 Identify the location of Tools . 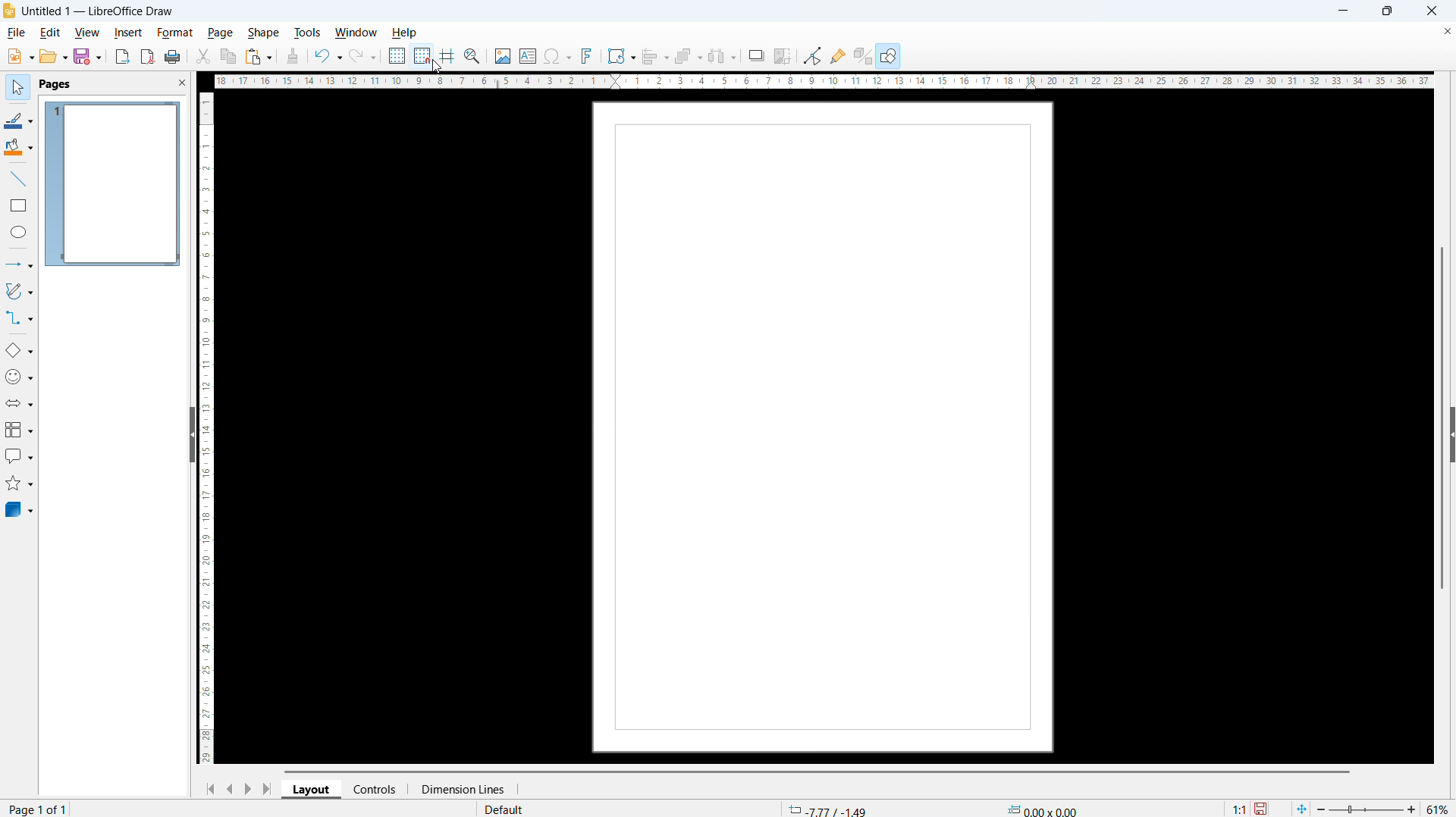
(308, 33).